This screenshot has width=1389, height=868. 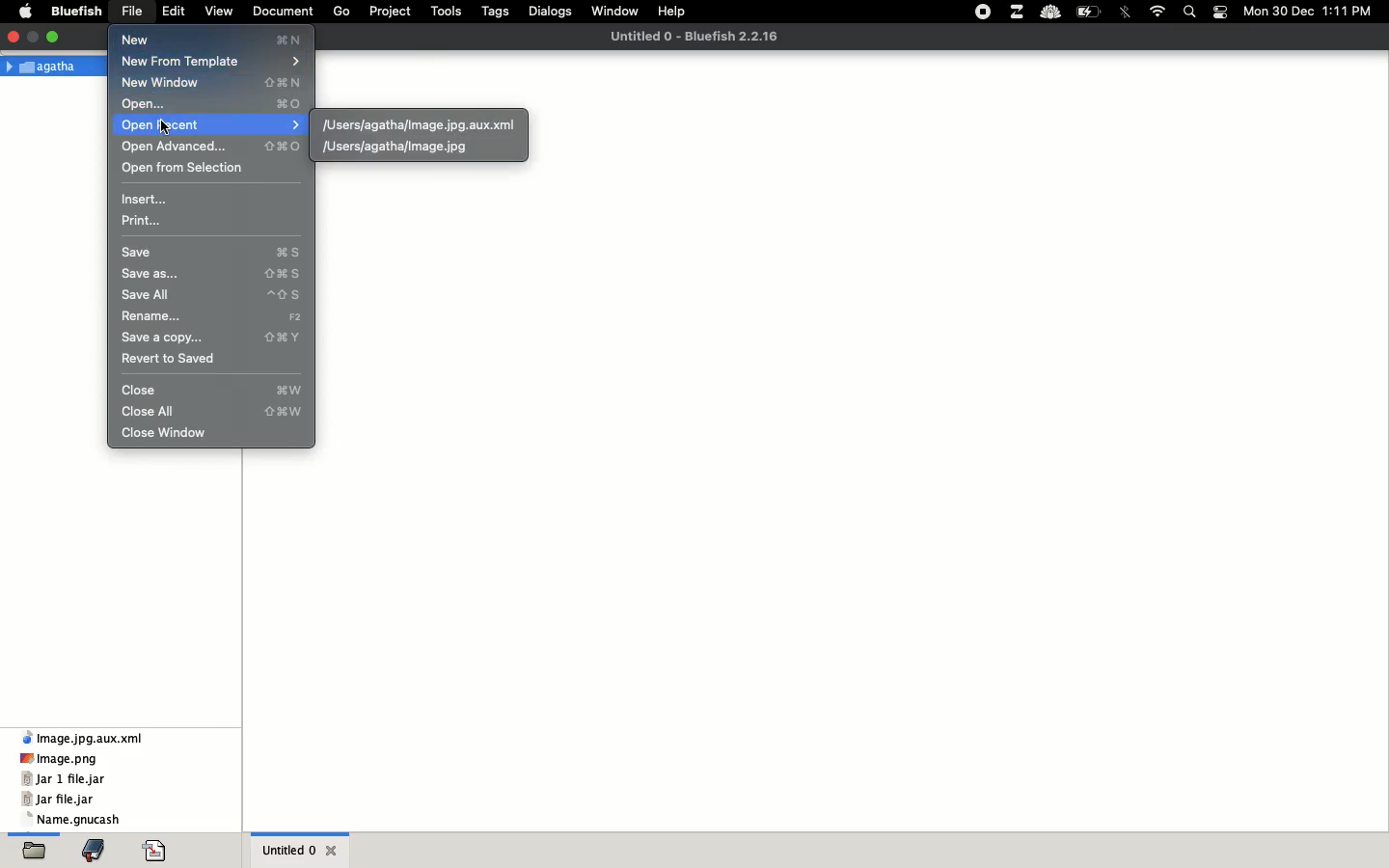 What do you see at coordinates (33, 853) in the screenshot?
I see `folder` at bounding box center [33, 853].